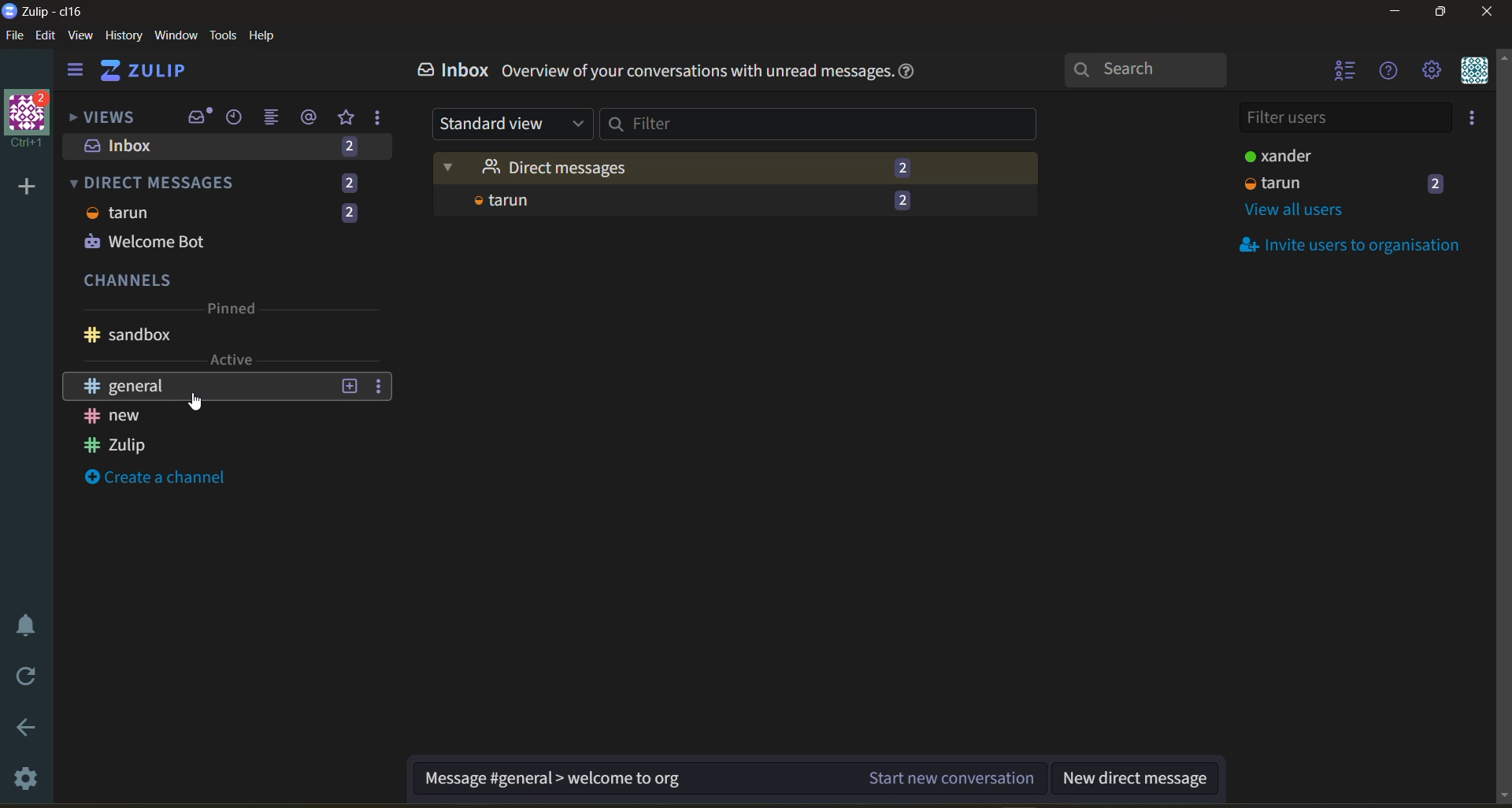 This screenshot has width=1512, height=808. I want to click on history, so click(120, 39).